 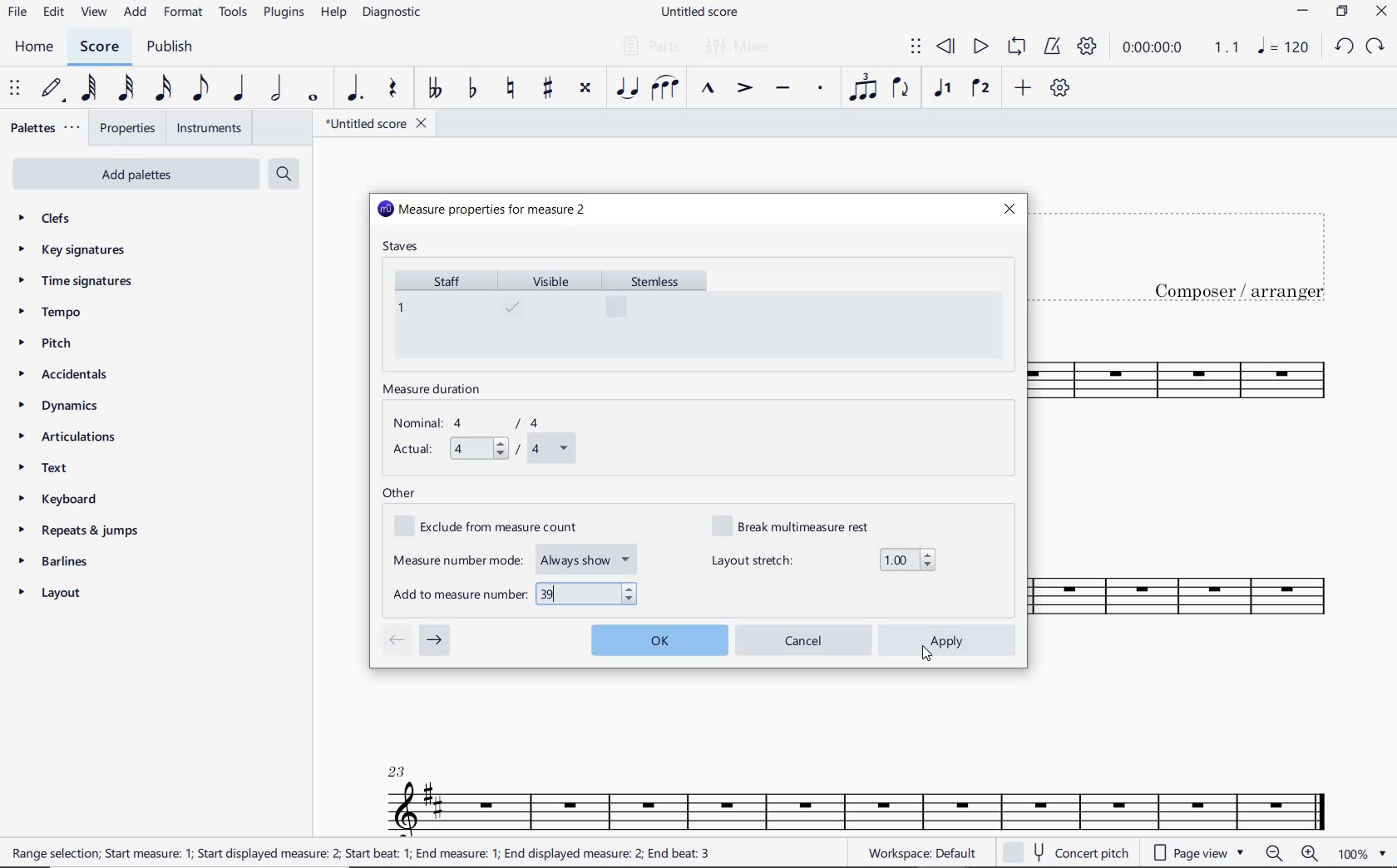 I want to click on TOGGLE-DOUBLE FLAT, so click(x=434, y=88).